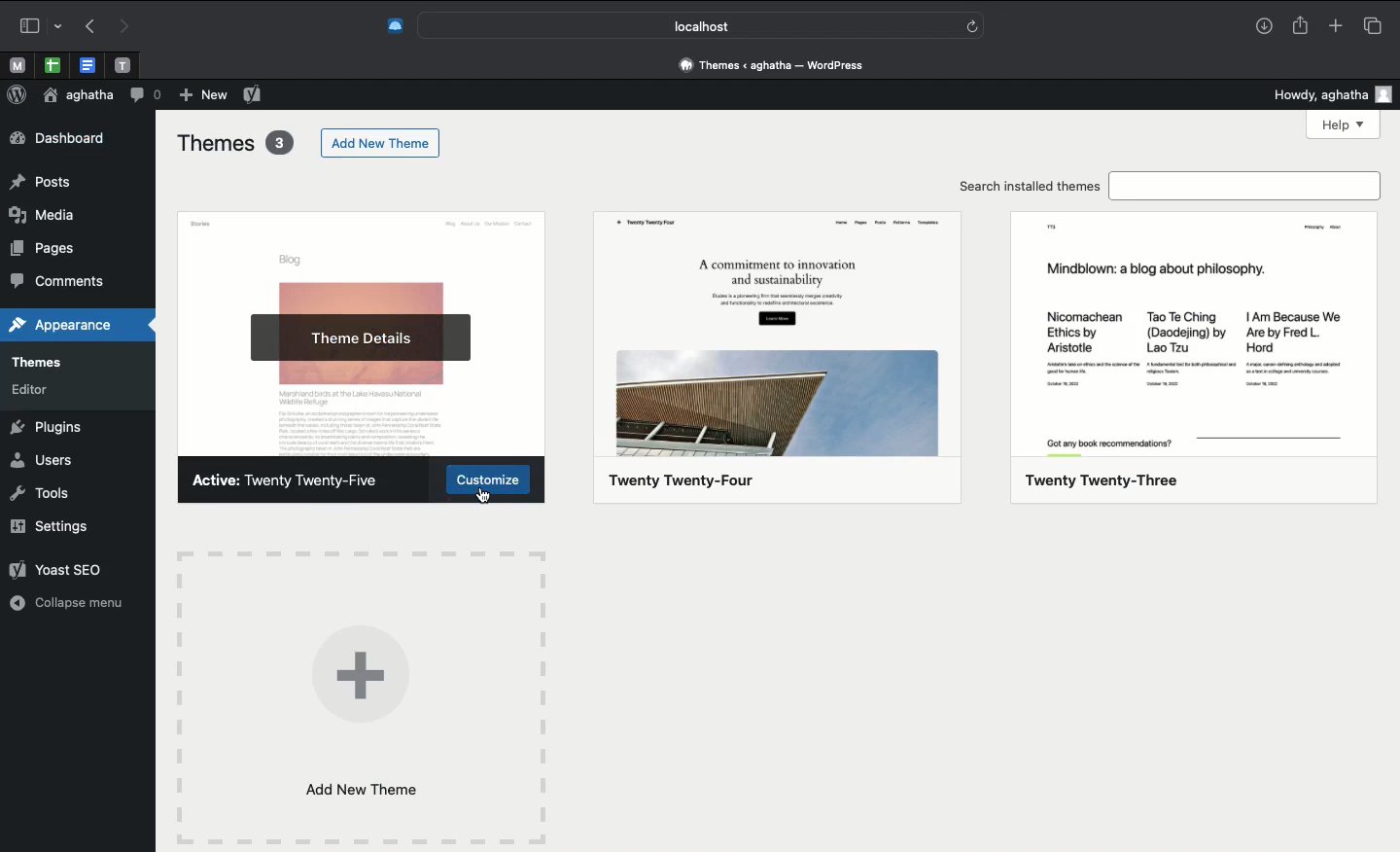 The width and height of the screenshot is (1400, 852). Describe the element at coordinates (200, 96) in the screenshot. I see `New` at that location.